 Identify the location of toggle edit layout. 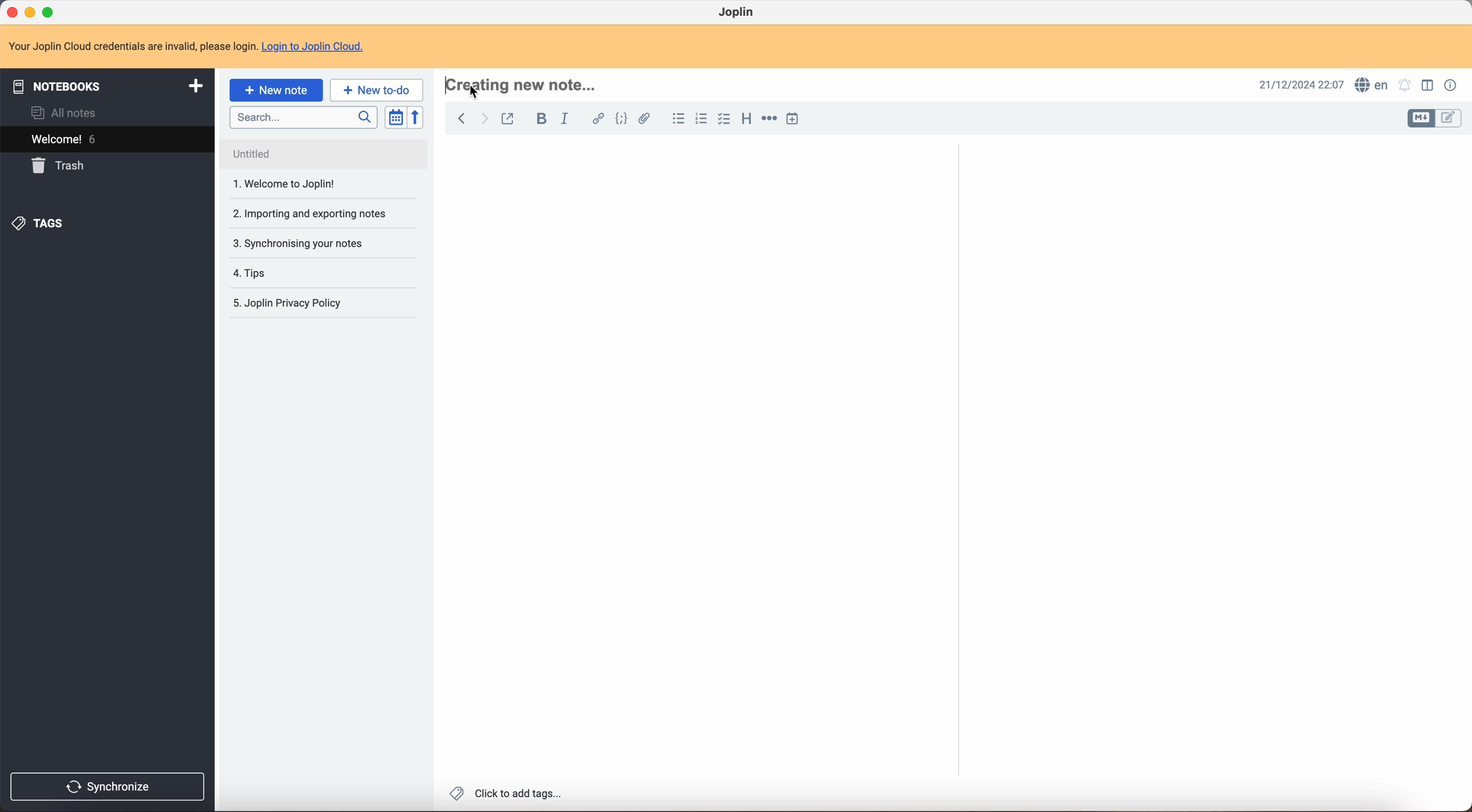
(1430, 85).